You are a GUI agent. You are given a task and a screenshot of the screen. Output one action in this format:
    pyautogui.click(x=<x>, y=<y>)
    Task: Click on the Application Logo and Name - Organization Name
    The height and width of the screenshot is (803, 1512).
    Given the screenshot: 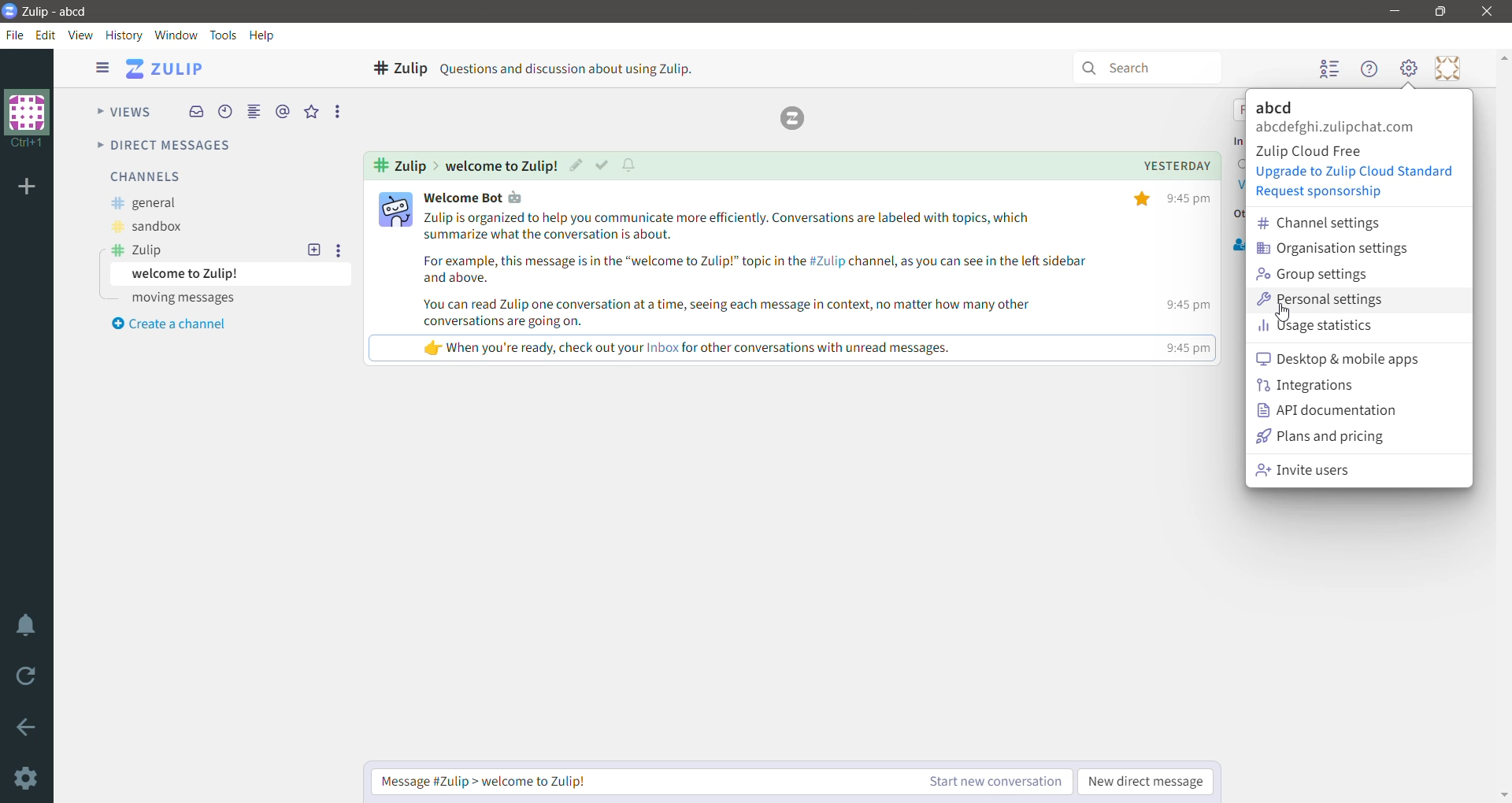 What is the action you would take?
    pyautogui.click(x=53, y=11)
    